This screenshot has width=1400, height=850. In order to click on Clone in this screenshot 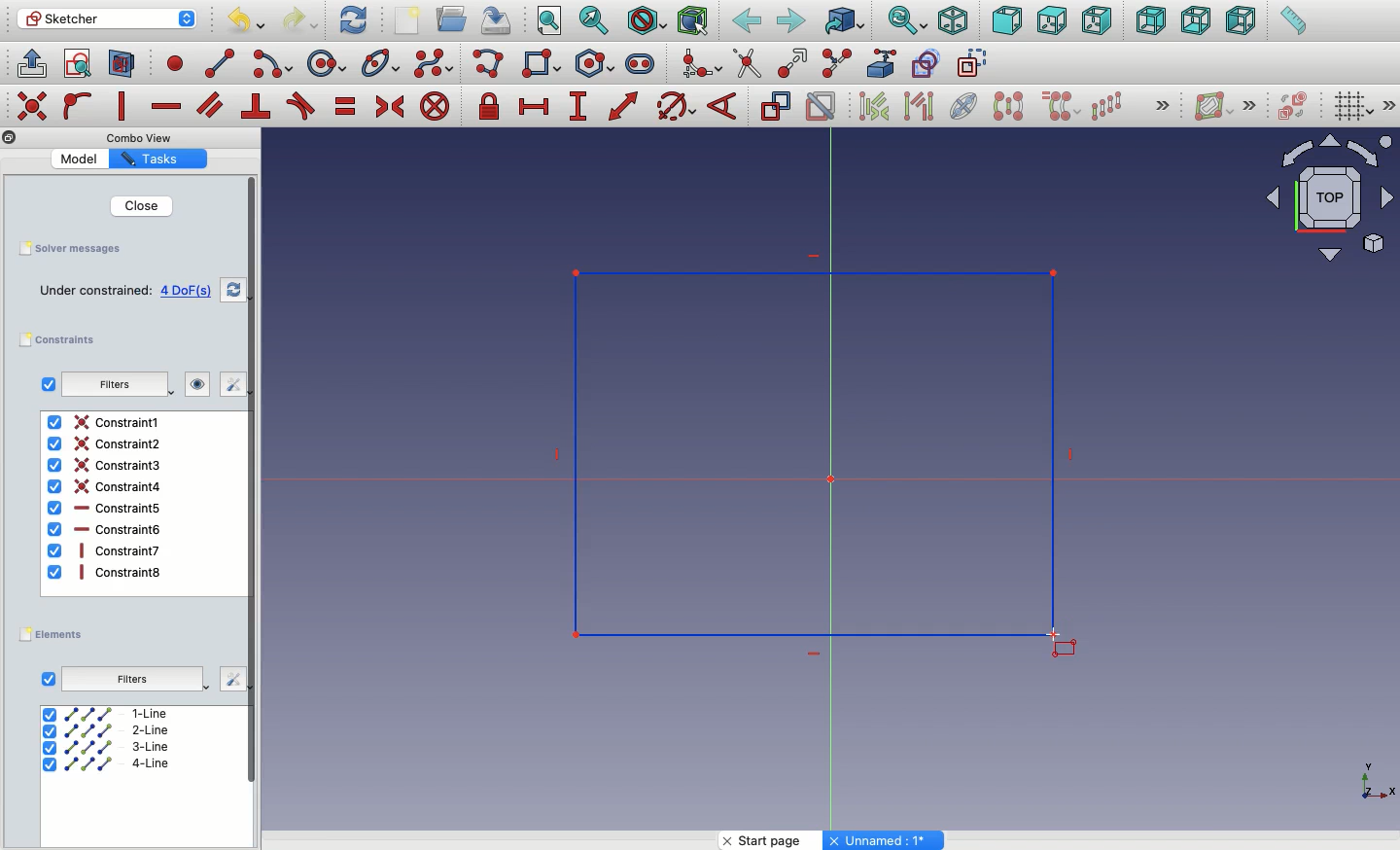, I will do `click(1059, 107)`.